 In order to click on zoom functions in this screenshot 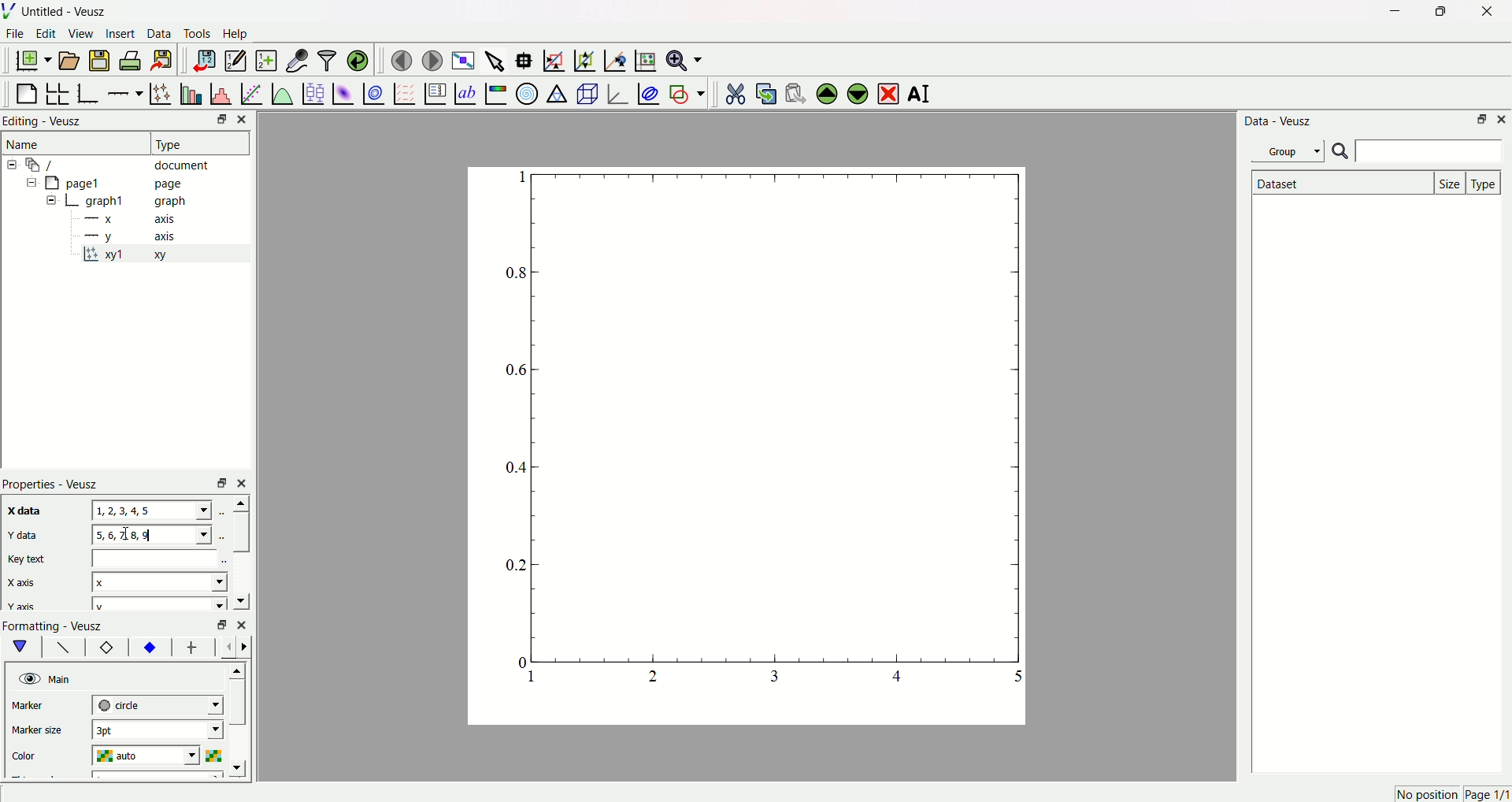, I will do `click(684, 60)`.